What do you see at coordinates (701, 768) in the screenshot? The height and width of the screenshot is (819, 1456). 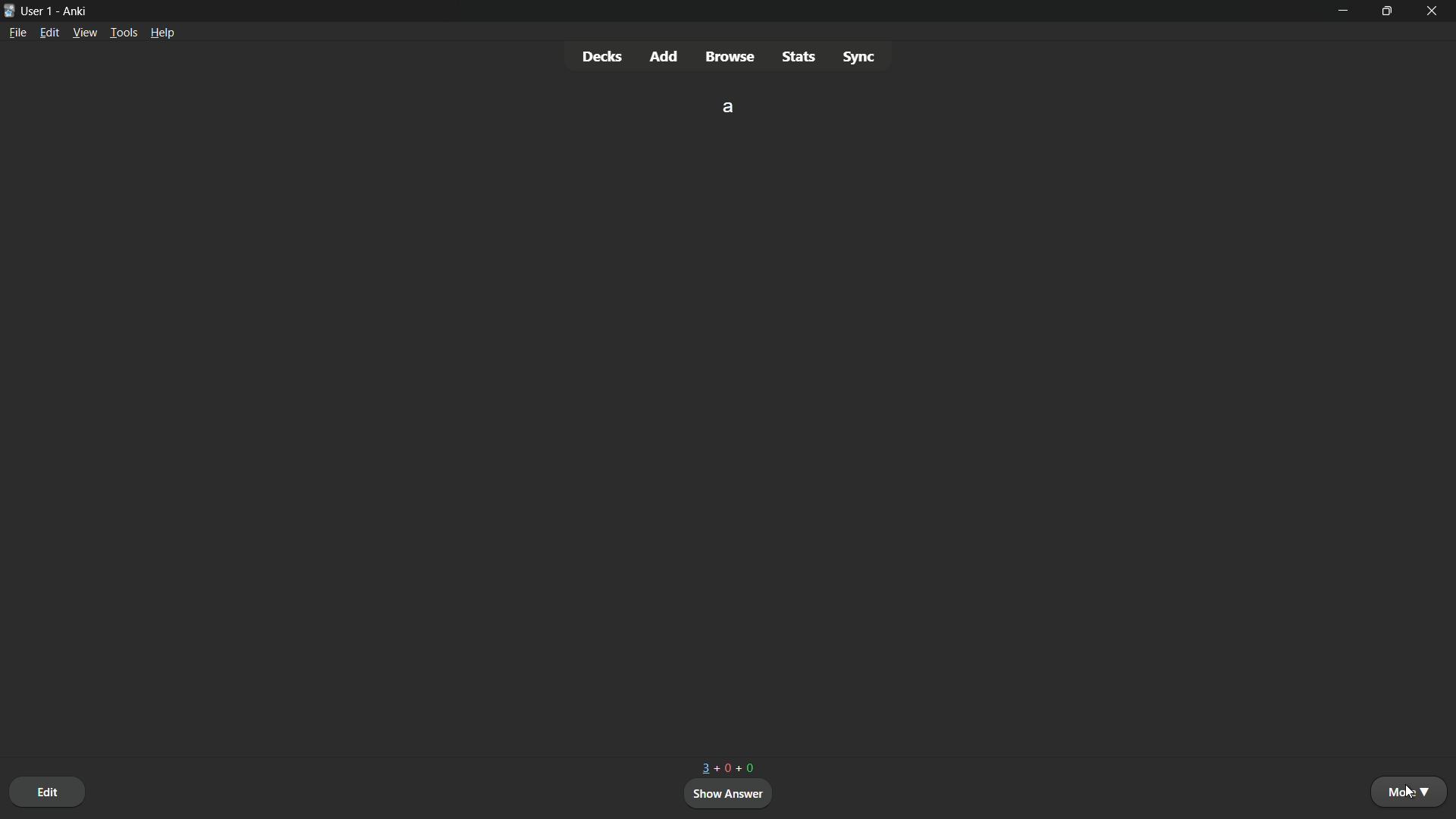 I see `3` at bounding box center [701, 768].